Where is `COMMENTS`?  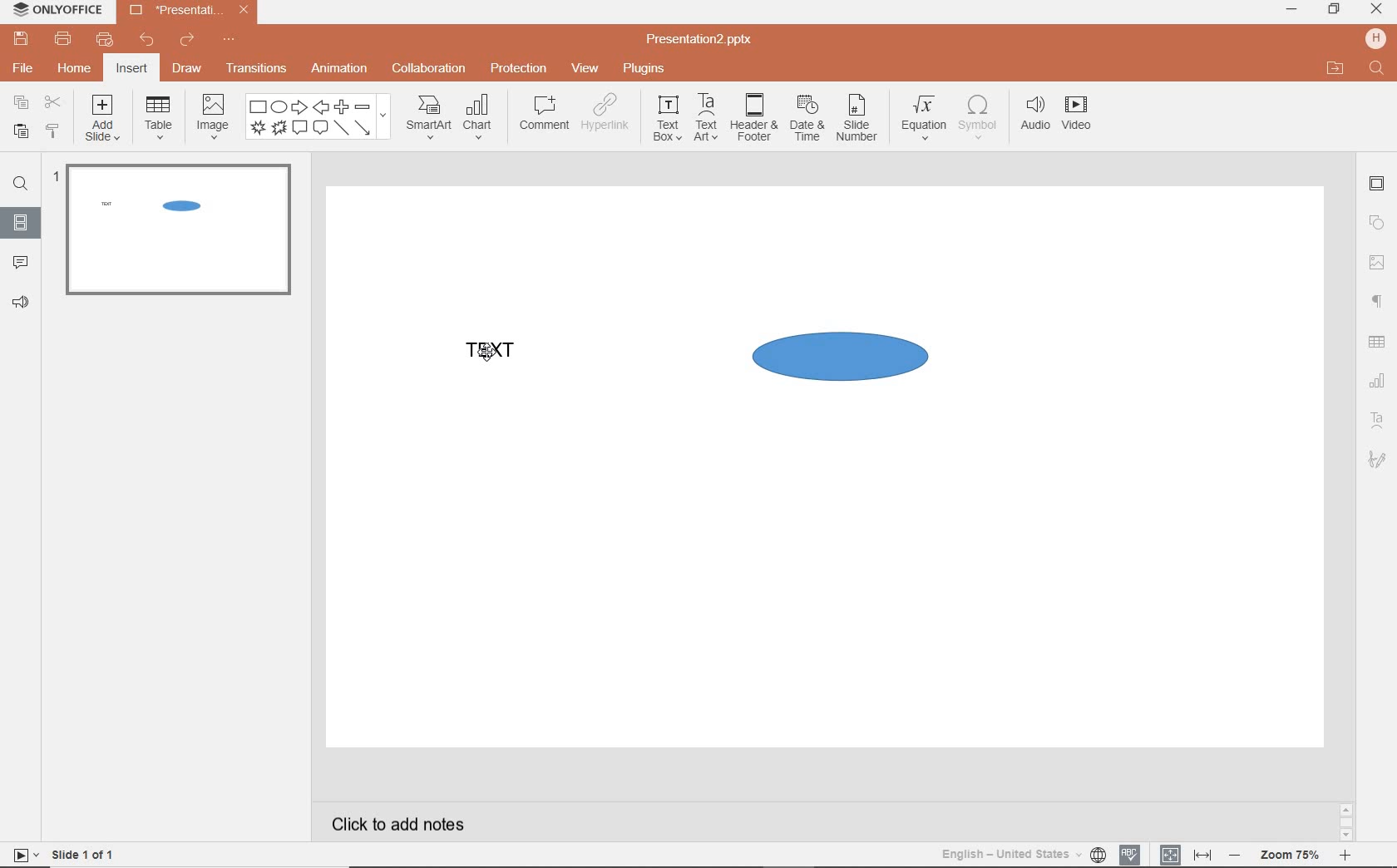
COMMENTS is located at coordinates (19, 259).